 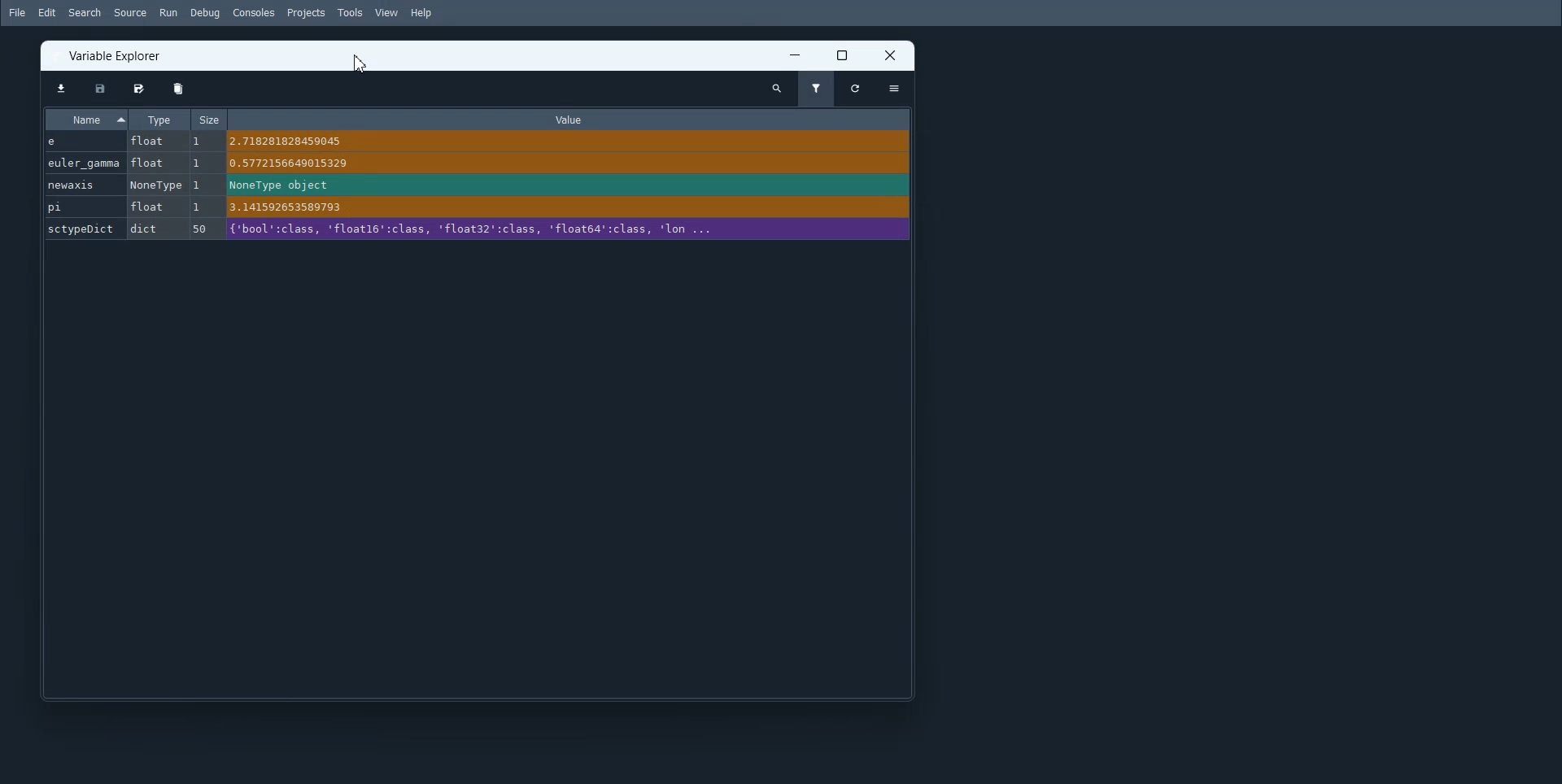 What do you see at coordinates (210, 118) in the screenshot?
I see `Size` at bounding box center [210, 118].